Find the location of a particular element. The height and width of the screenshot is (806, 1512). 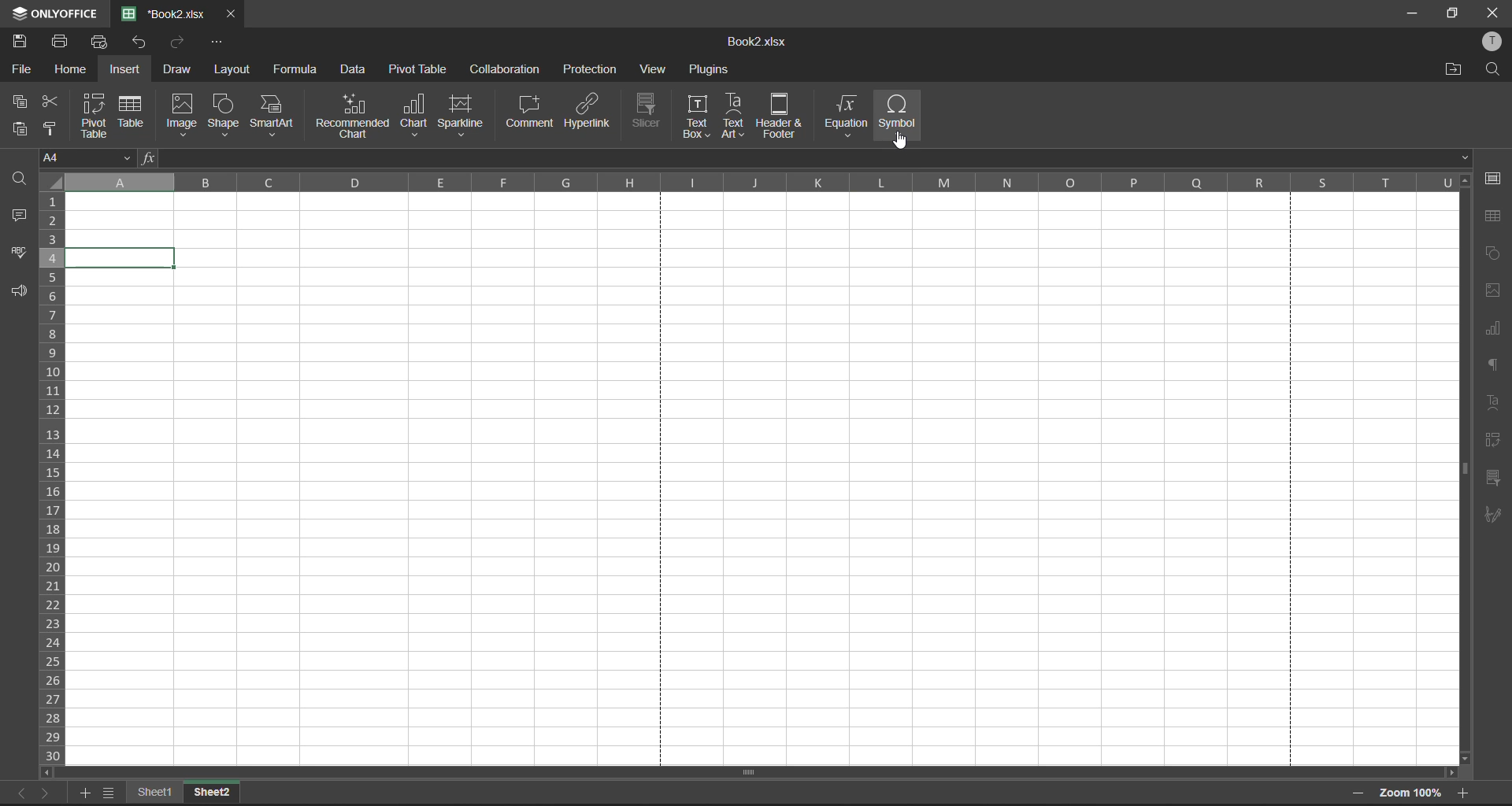

maximize is located at coordinates (1455, 15).